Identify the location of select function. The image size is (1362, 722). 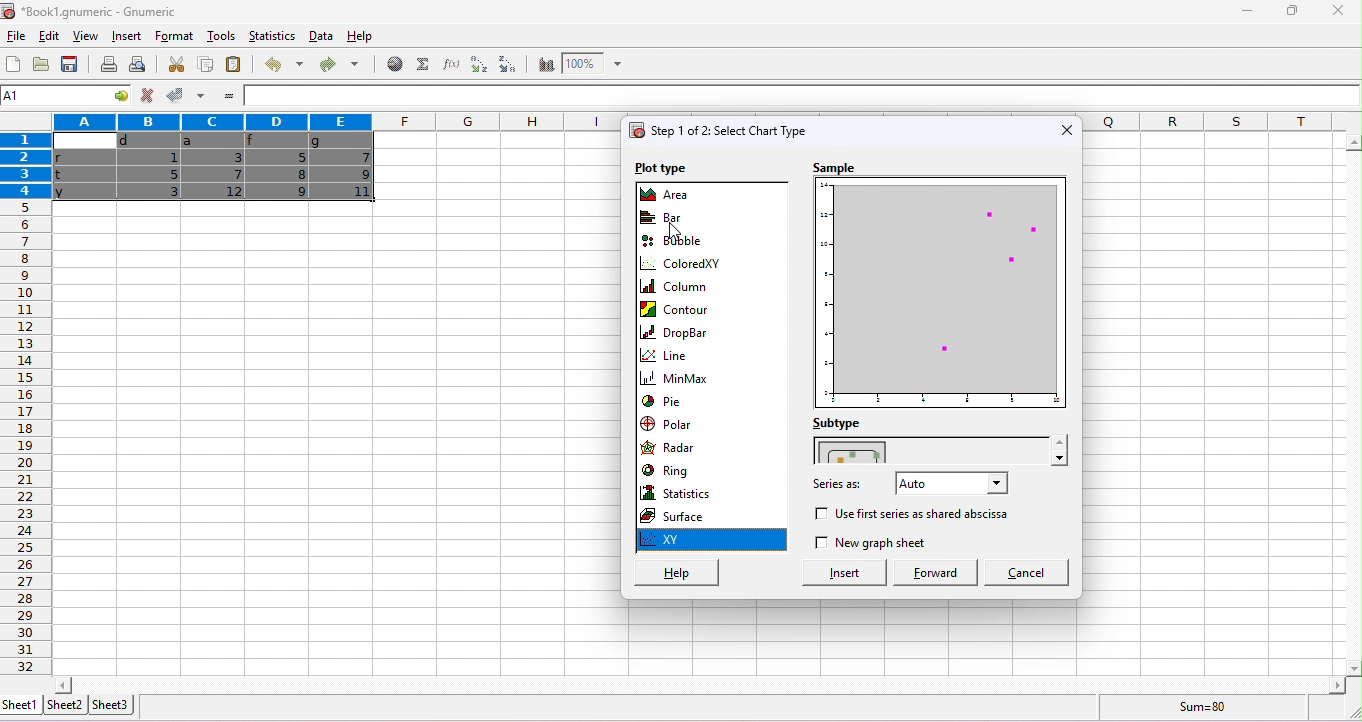
(421, 64).